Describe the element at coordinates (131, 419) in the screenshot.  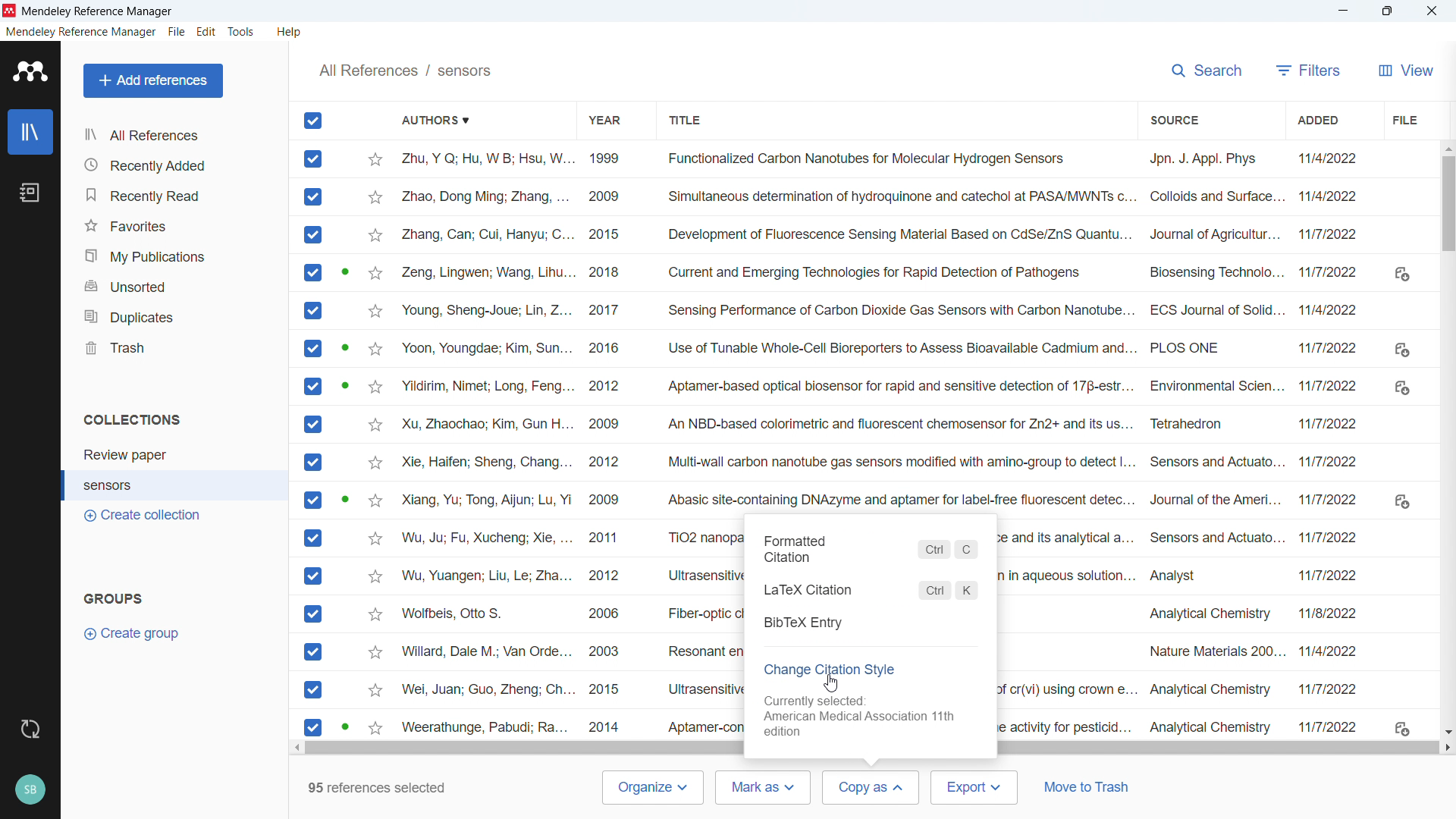
I see `collections` at that location.